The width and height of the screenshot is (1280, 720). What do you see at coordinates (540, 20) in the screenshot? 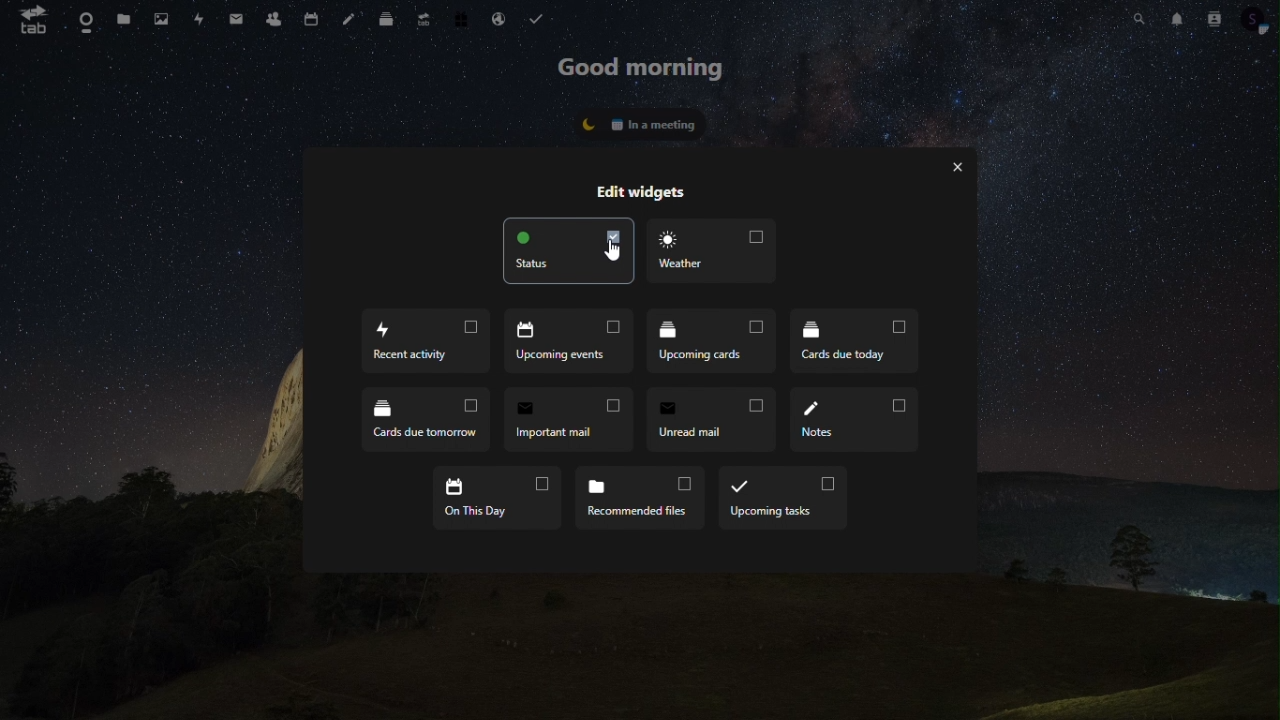
I see `task` at bounding box center [540, 20].